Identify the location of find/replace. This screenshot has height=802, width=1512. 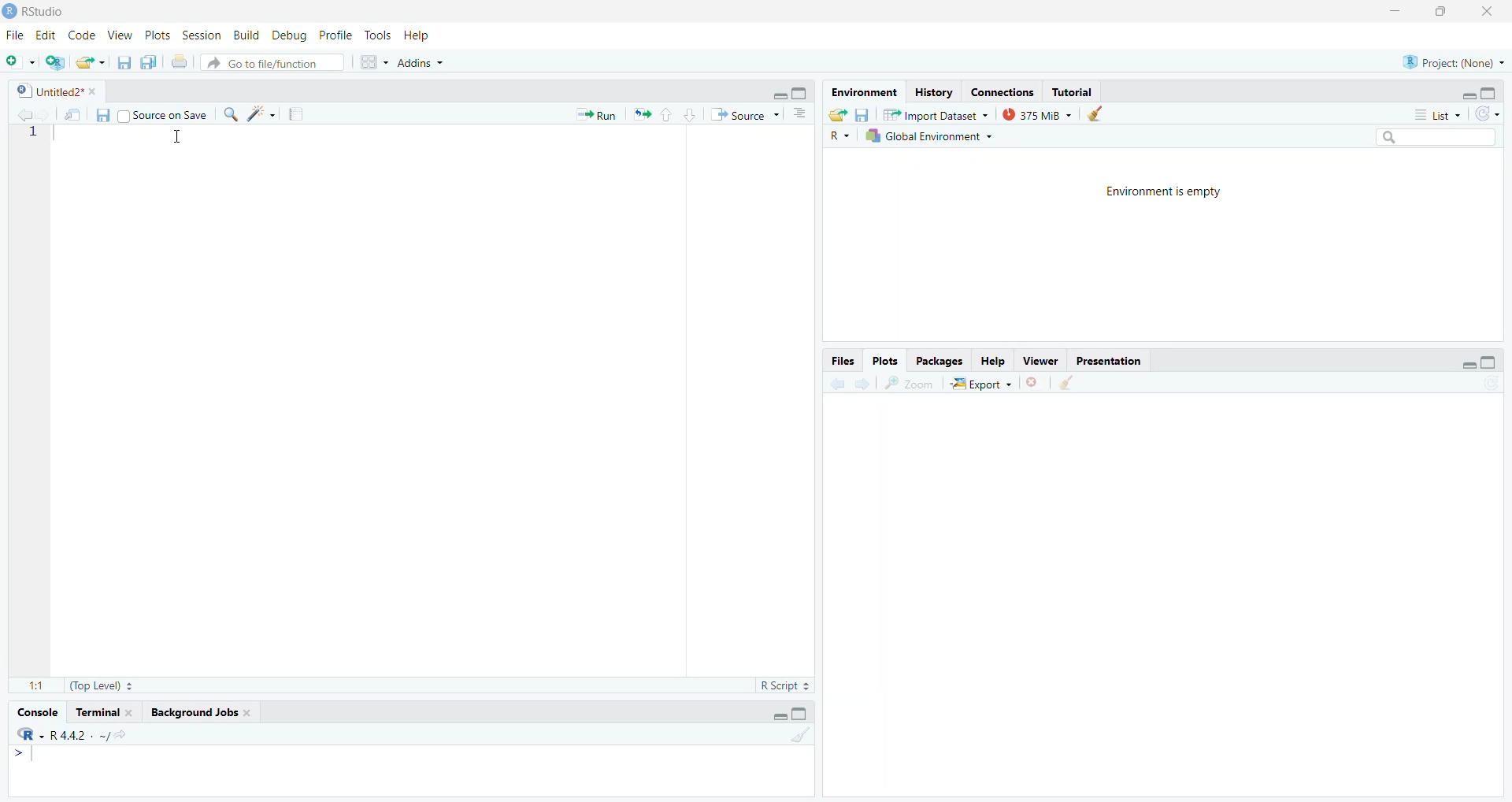
(231, 113).